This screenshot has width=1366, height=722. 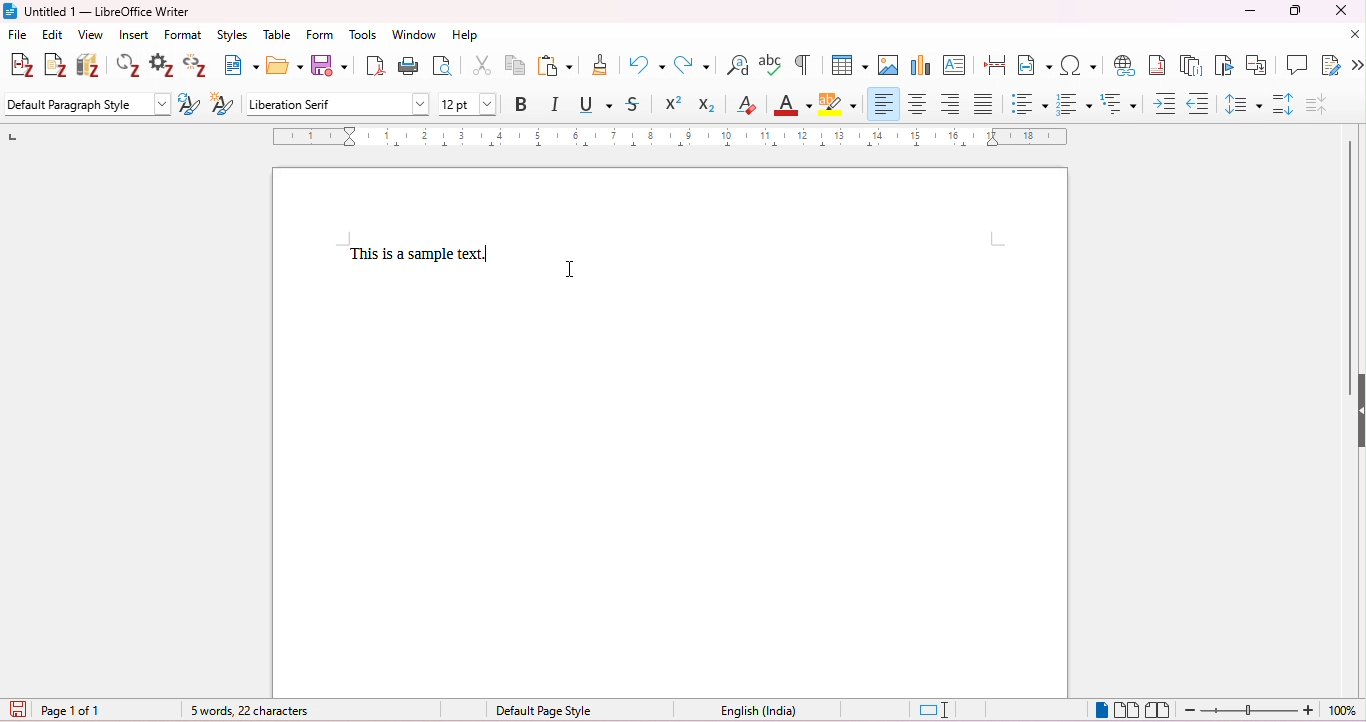 I want to click on help, so click(x=467, y=35).